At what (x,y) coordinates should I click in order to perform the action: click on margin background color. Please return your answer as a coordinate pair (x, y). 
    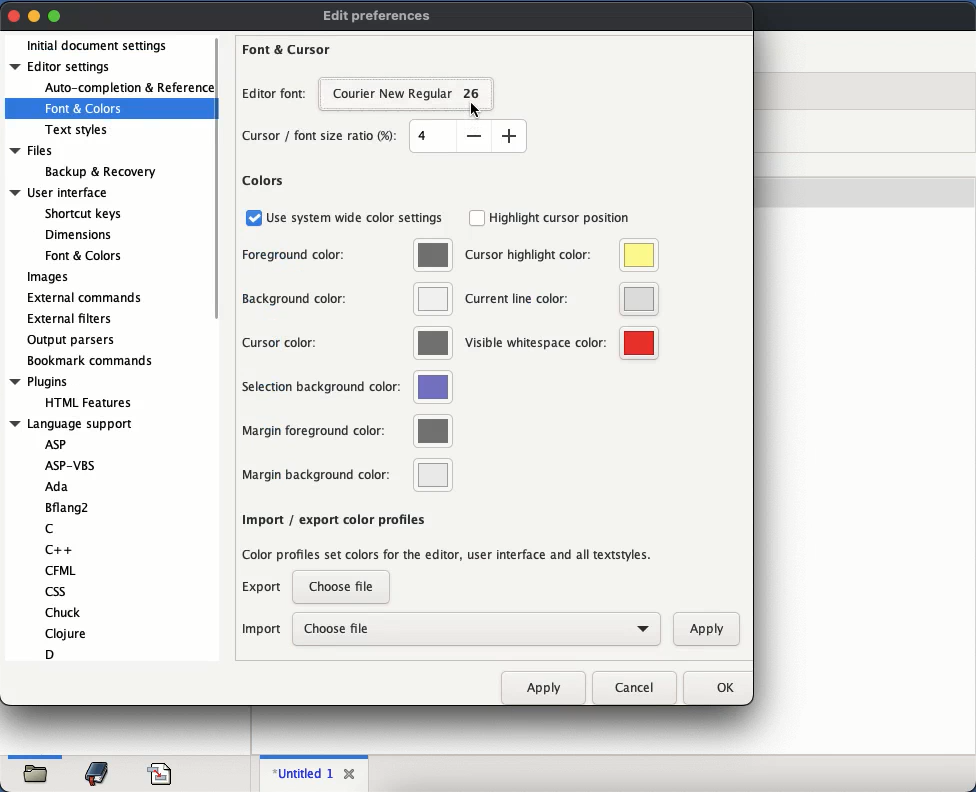
    Looking at the image, I should click on (323, 474).